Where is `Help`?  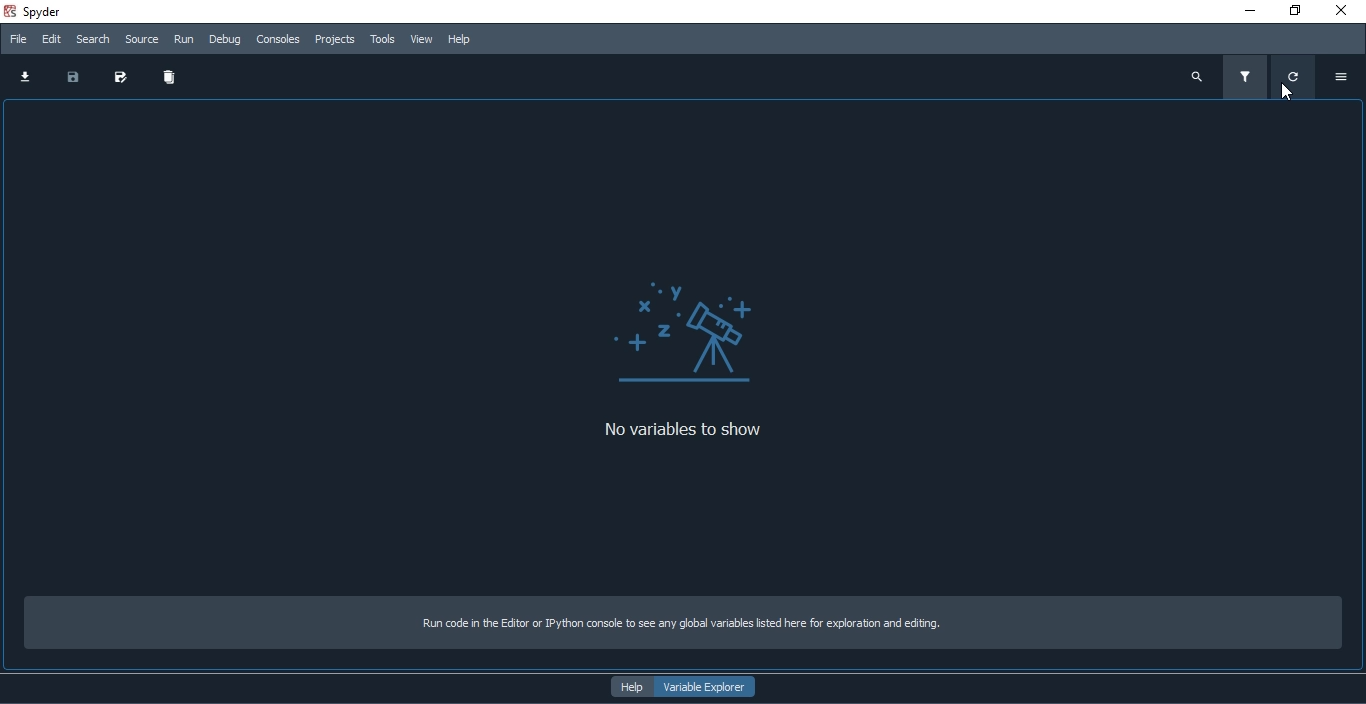
Help is located at coordinates (459, 40).